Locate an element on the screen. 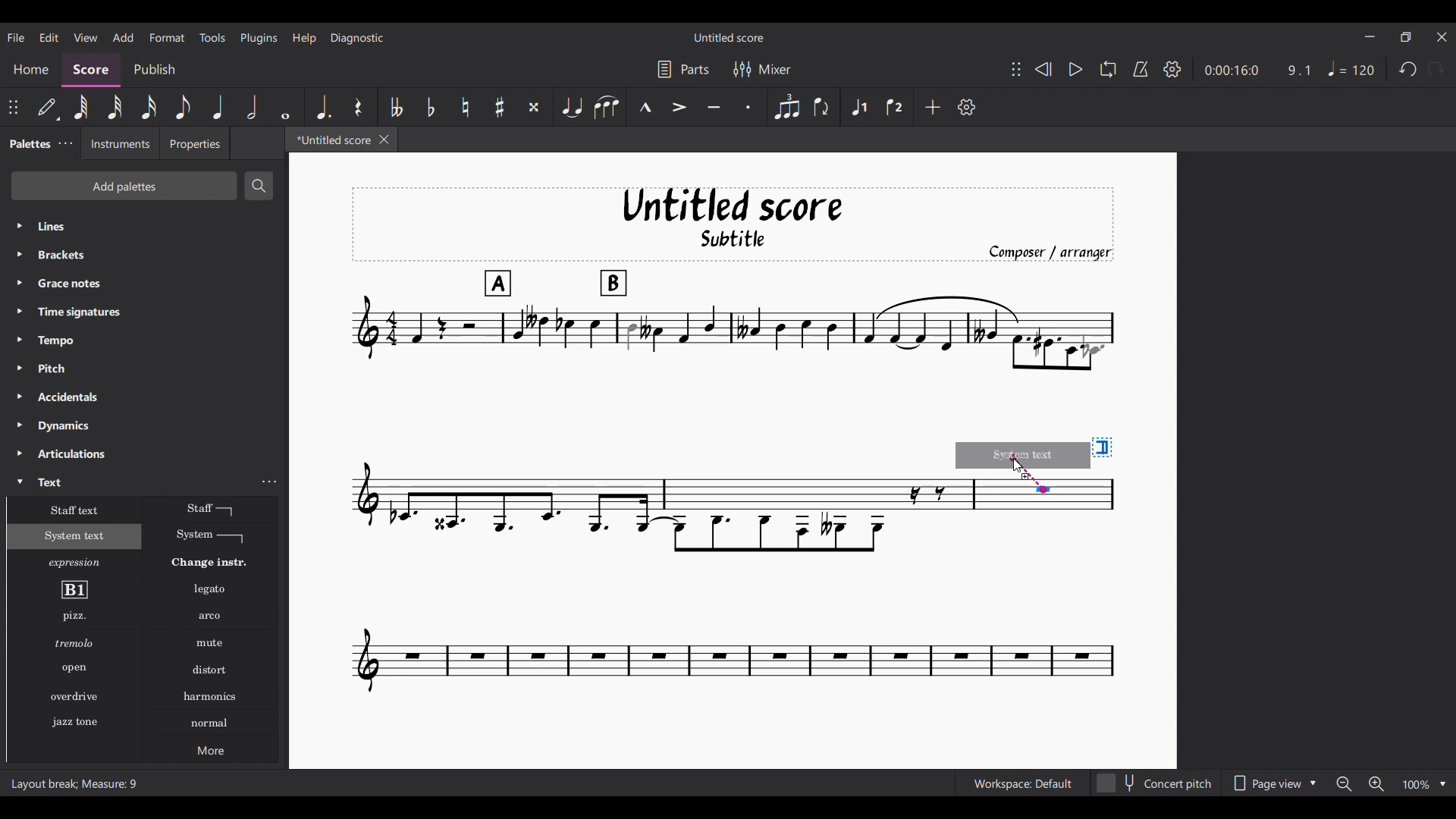  Time signatures is located at coordinates (145, 312).